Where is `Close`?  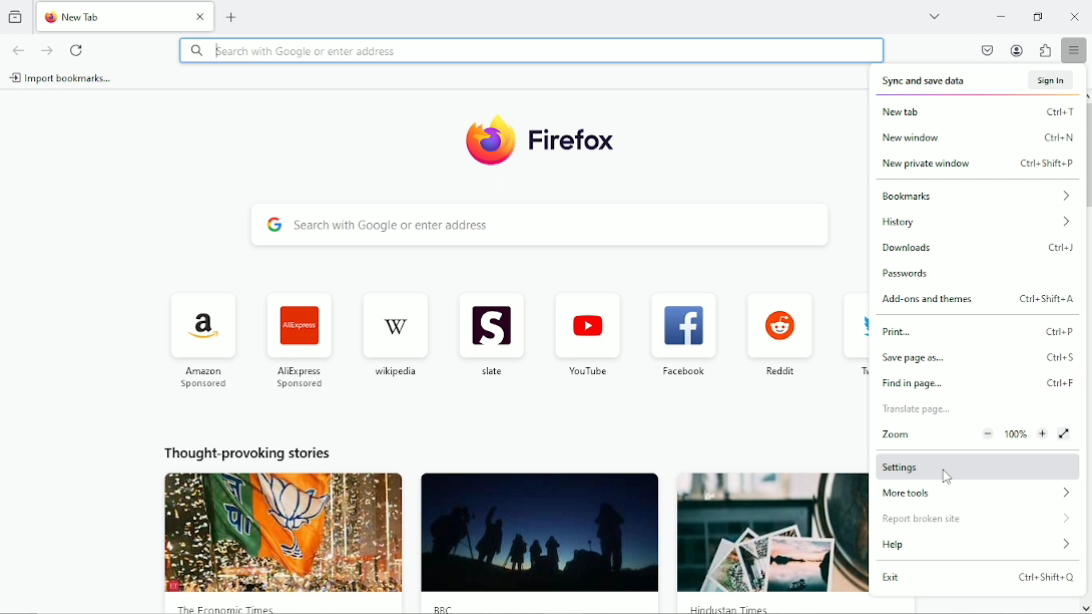
Close is located at coordinates (1074, 15).